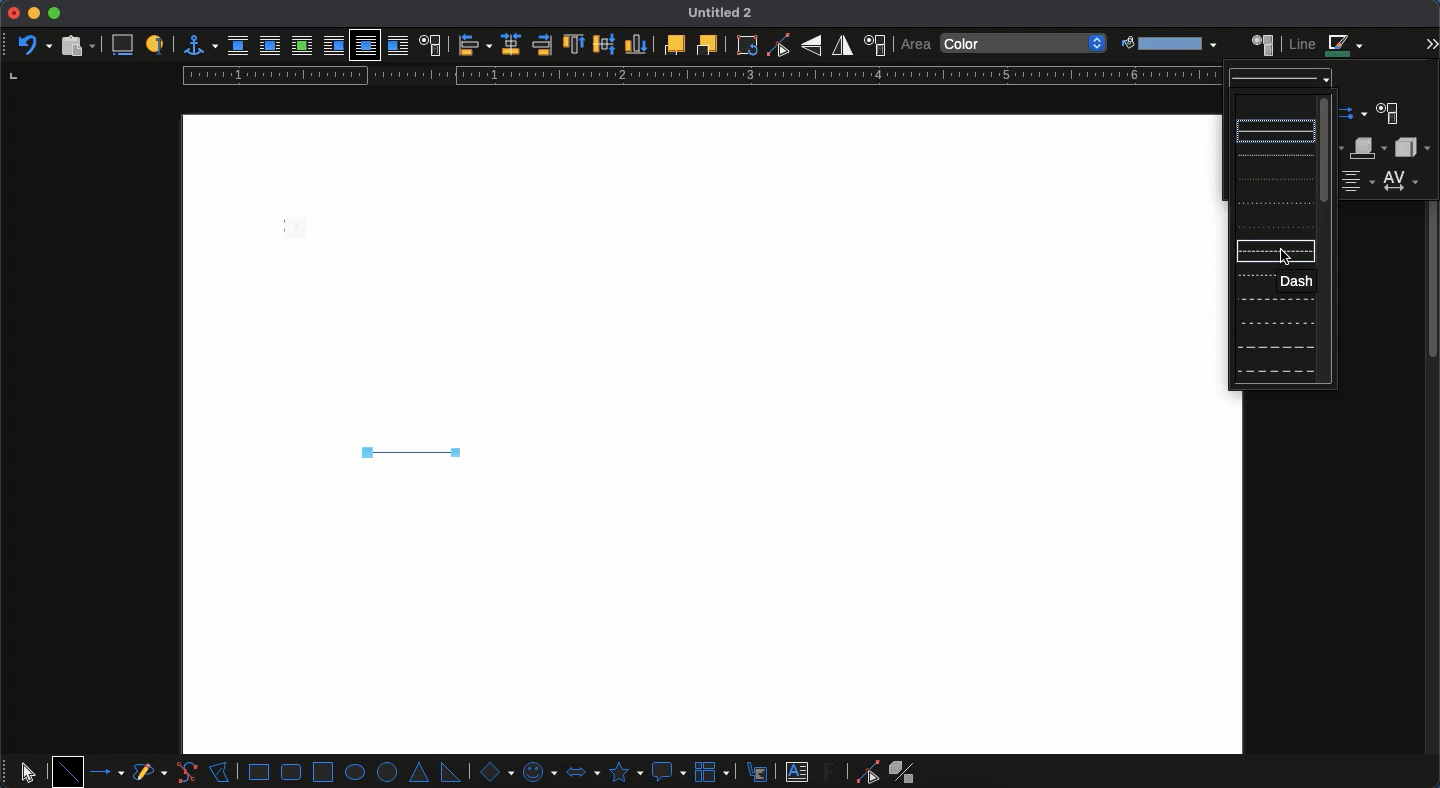  What do you see at coordinates (1275, 370) in the screenshot?
I see `Double dash (rounded)` at bounding box center [1275, 370].